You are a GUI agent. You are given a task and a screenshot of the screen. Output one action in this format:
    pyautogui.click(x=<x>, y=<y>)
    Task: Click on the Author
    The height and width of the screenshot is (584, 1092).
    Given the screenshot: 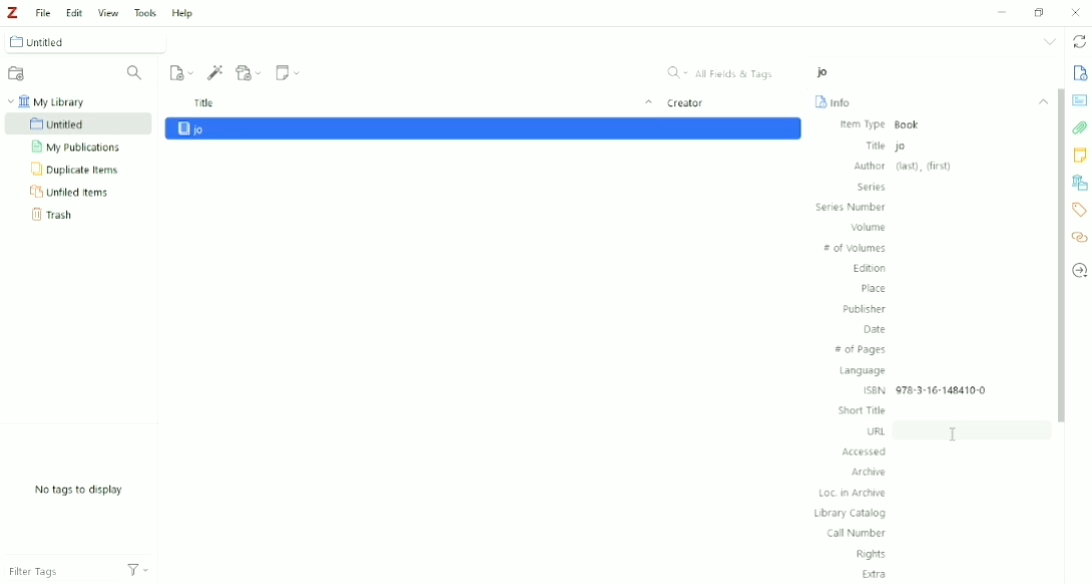 What is the action you would take?
    pyautogui.click(x=904, y=166)
    